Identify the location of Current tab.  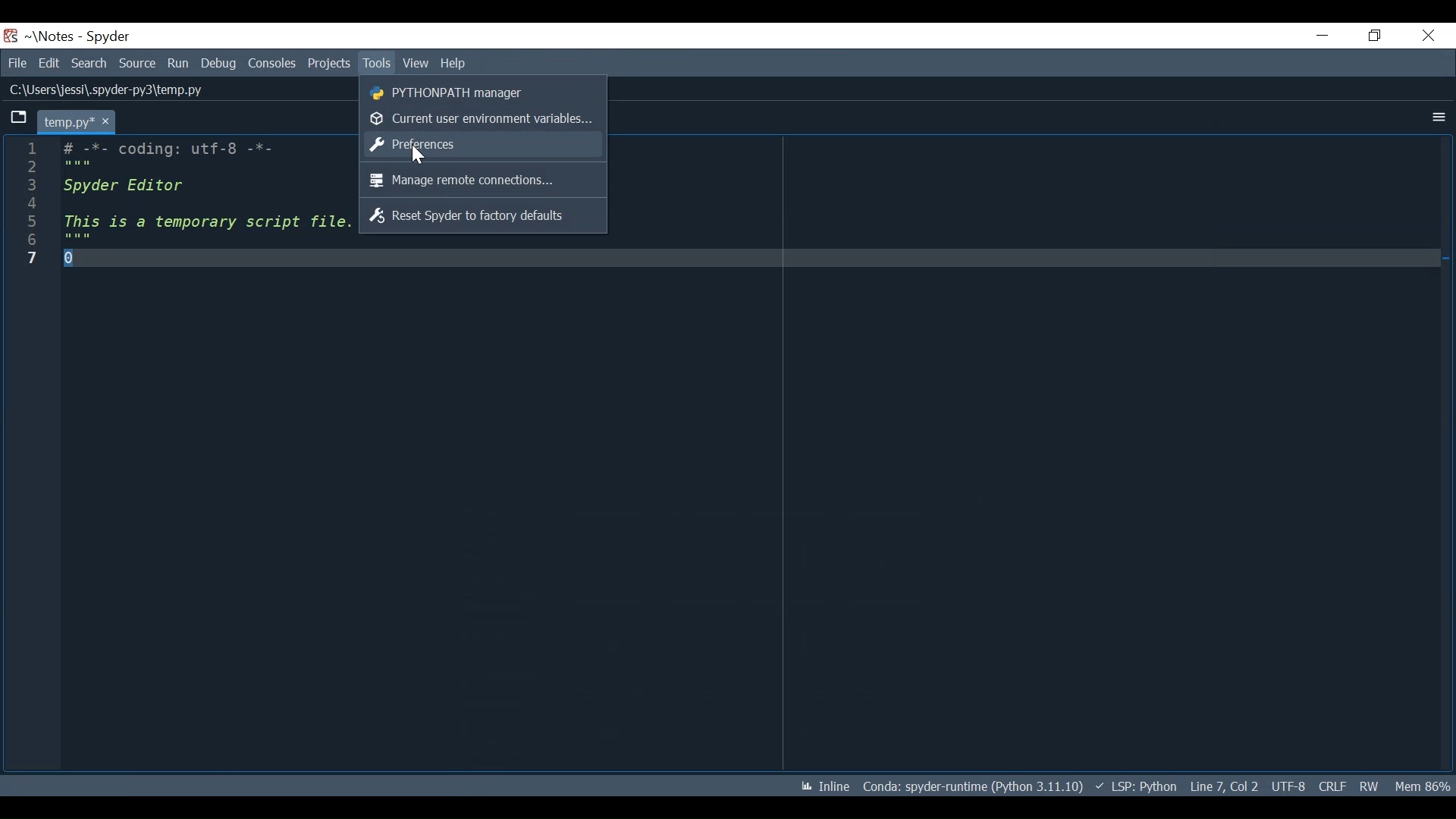
(73, 122).